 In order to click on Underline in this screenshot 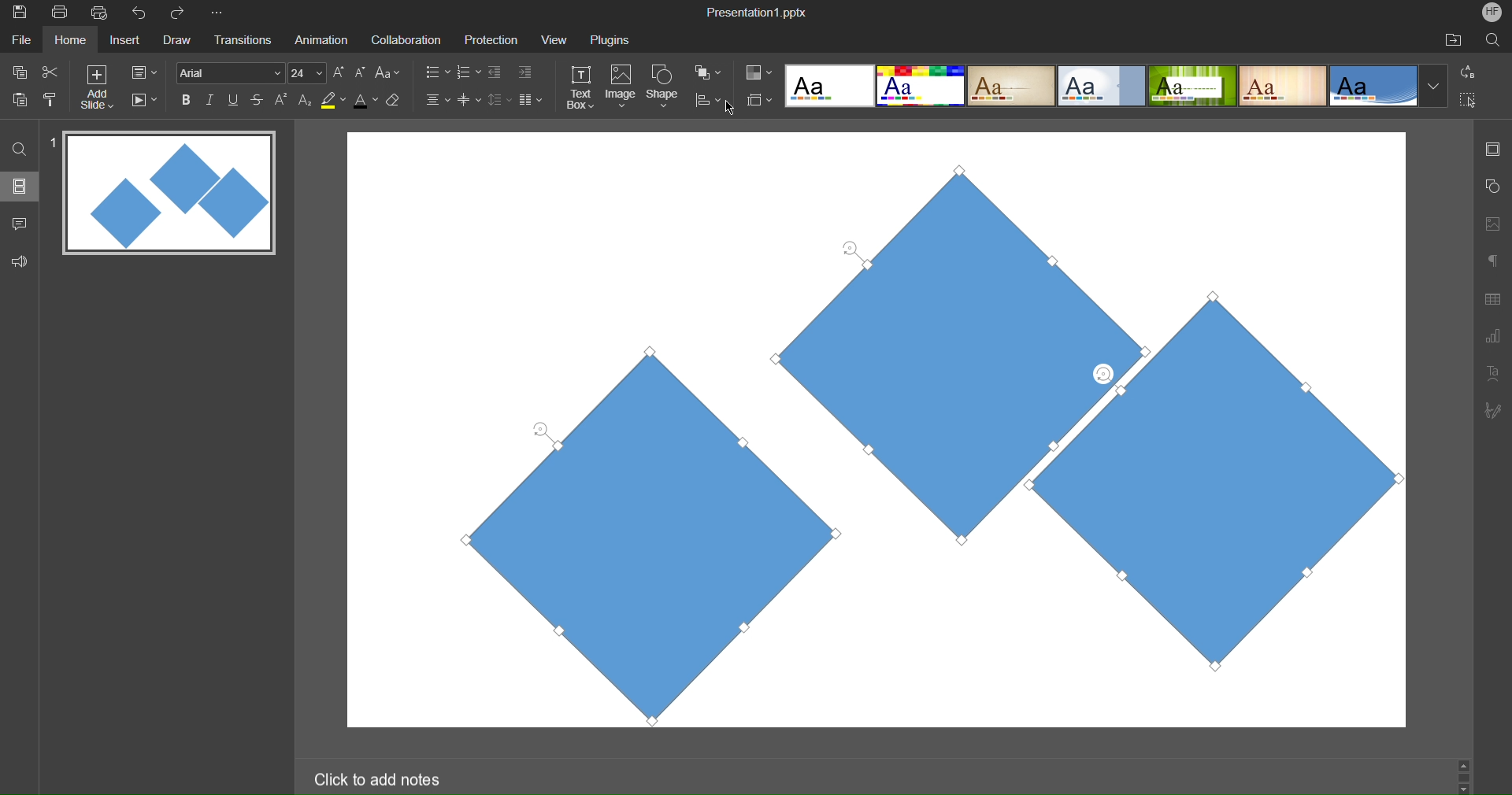, I will do `click(234, 100)`.